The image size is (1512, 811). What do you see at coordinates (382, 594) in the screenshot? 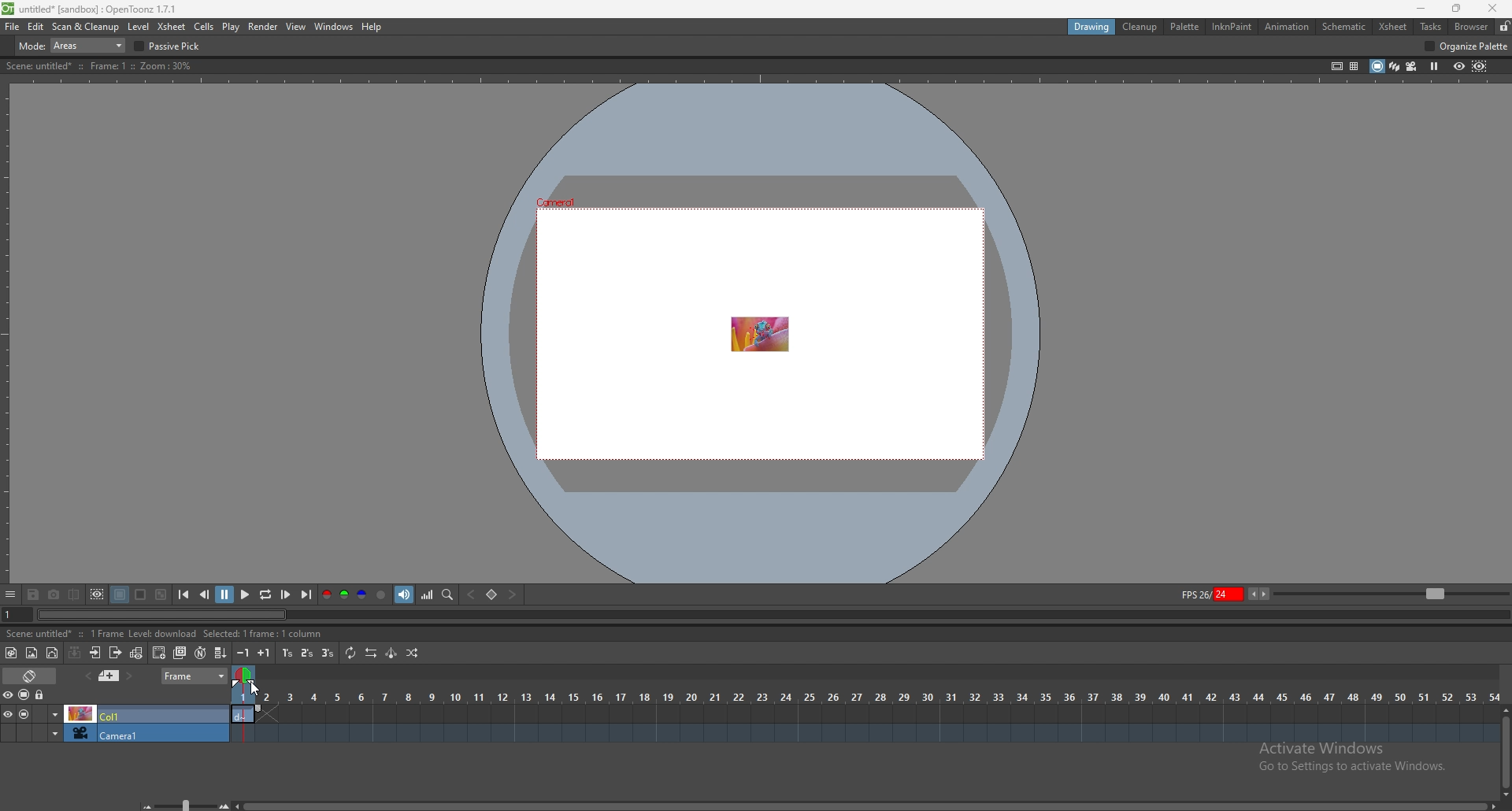
I see `alpha channel` at bounding box center [382, 594].